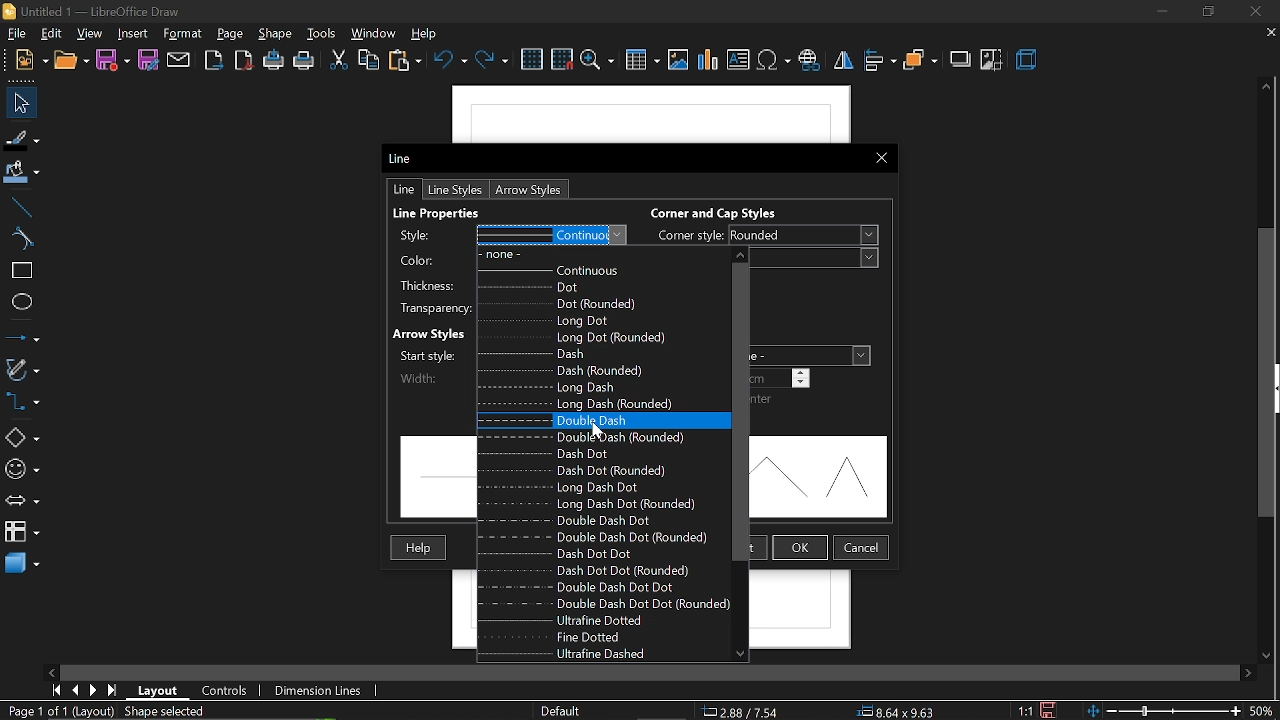 Image resolution: width=1280 pixels, height=720 pixels. Describe the element at coordinates (57, 691) in the screenshot. I see `go to first page` at that location.